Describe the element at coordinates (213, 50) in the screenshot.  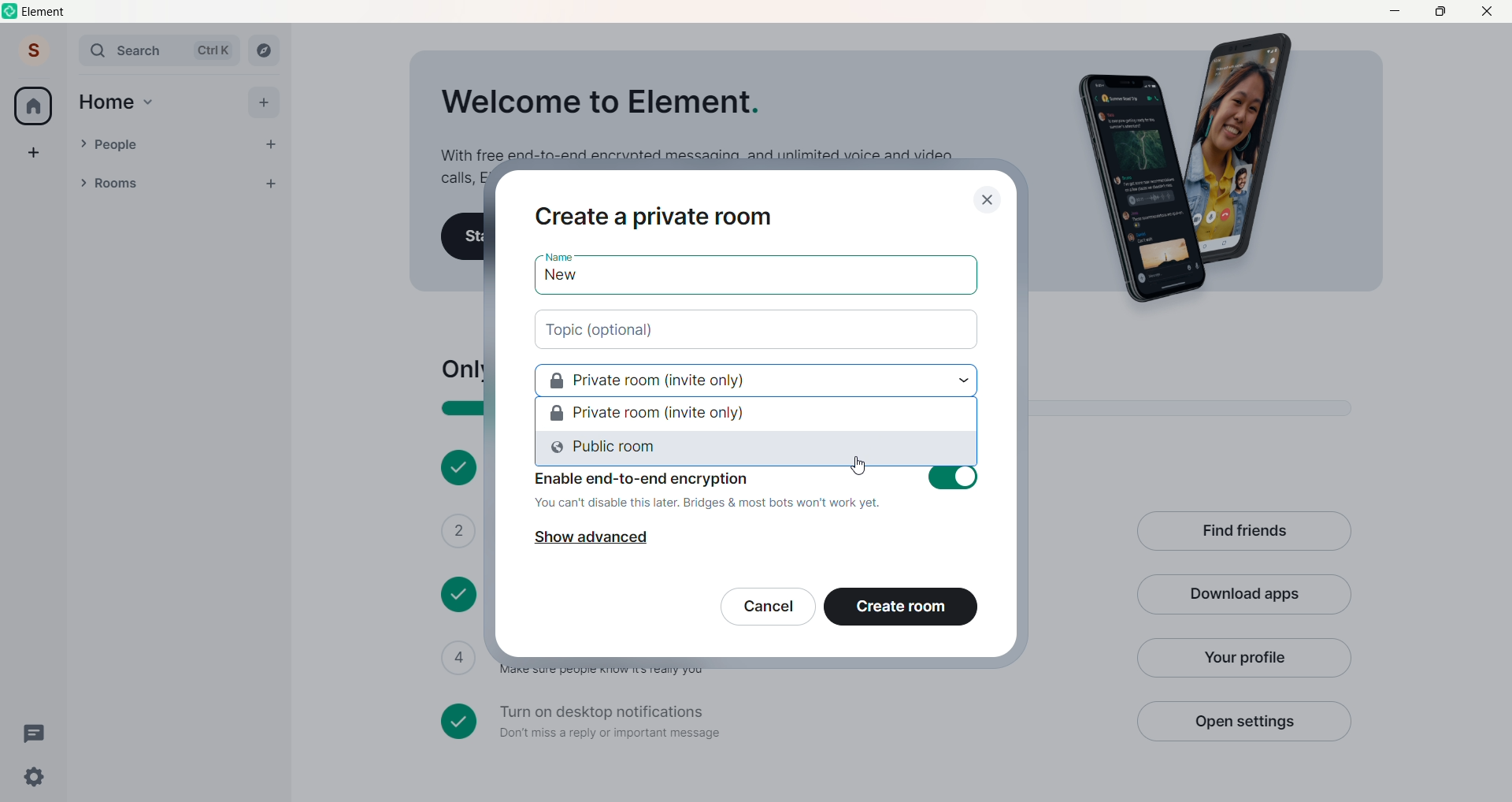
I see `Ctrl K` at that location.